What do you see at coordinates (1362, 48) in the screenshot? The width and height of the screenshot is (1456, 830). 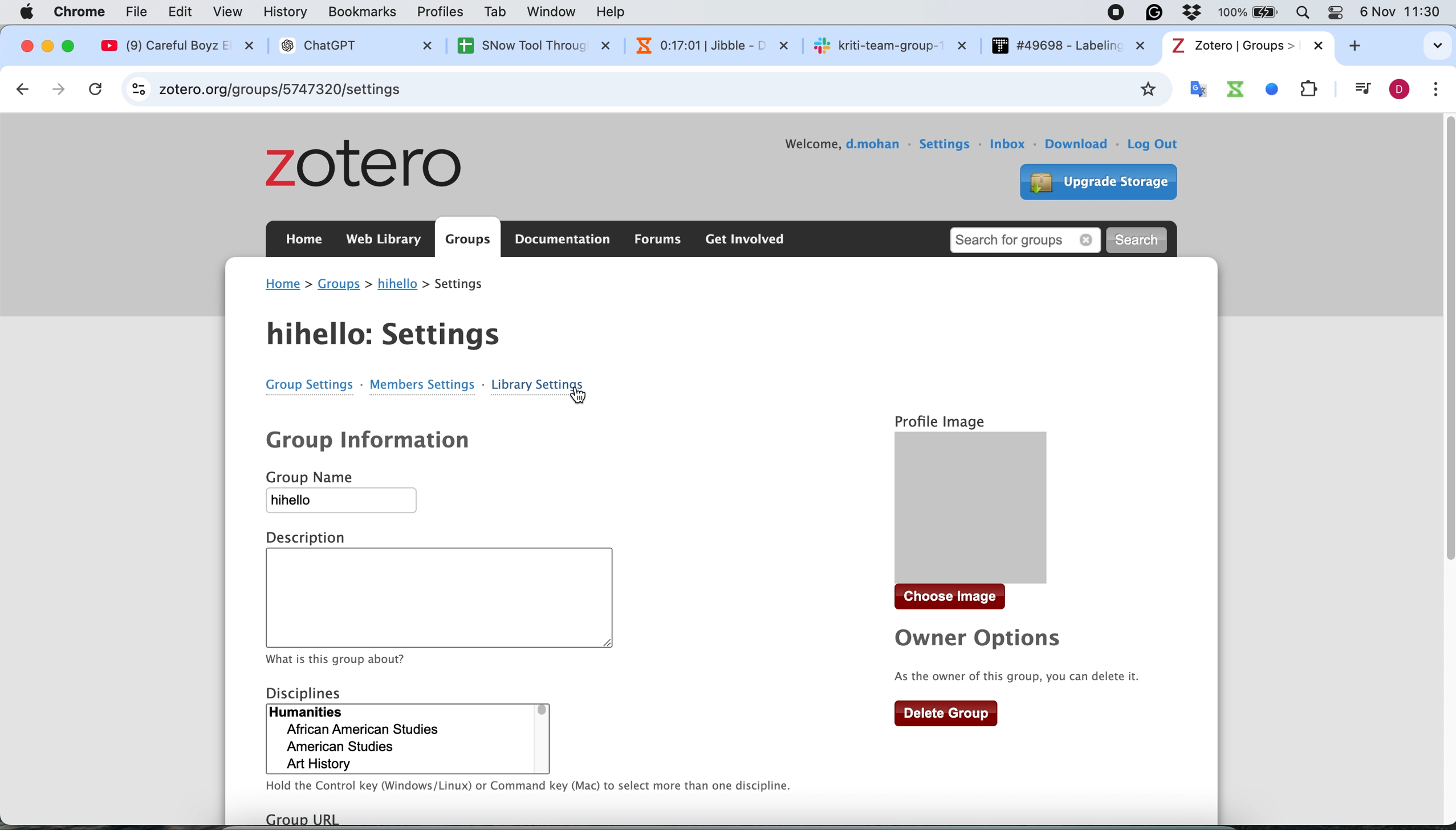 I see `add new tab` at bounding box center [1362, 48].